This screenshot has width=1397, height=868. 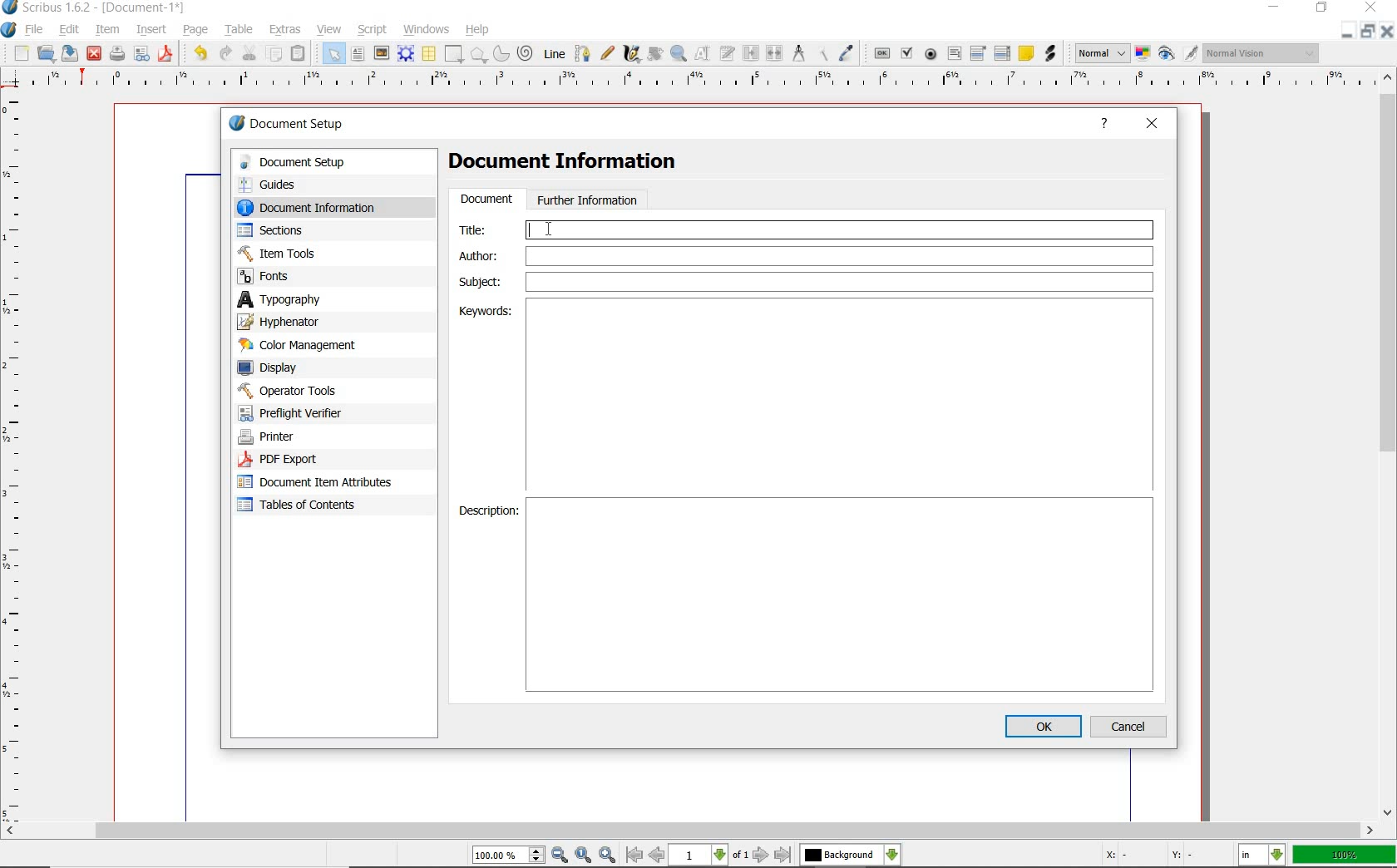 I want to click on view, so click(x=328, y=29).